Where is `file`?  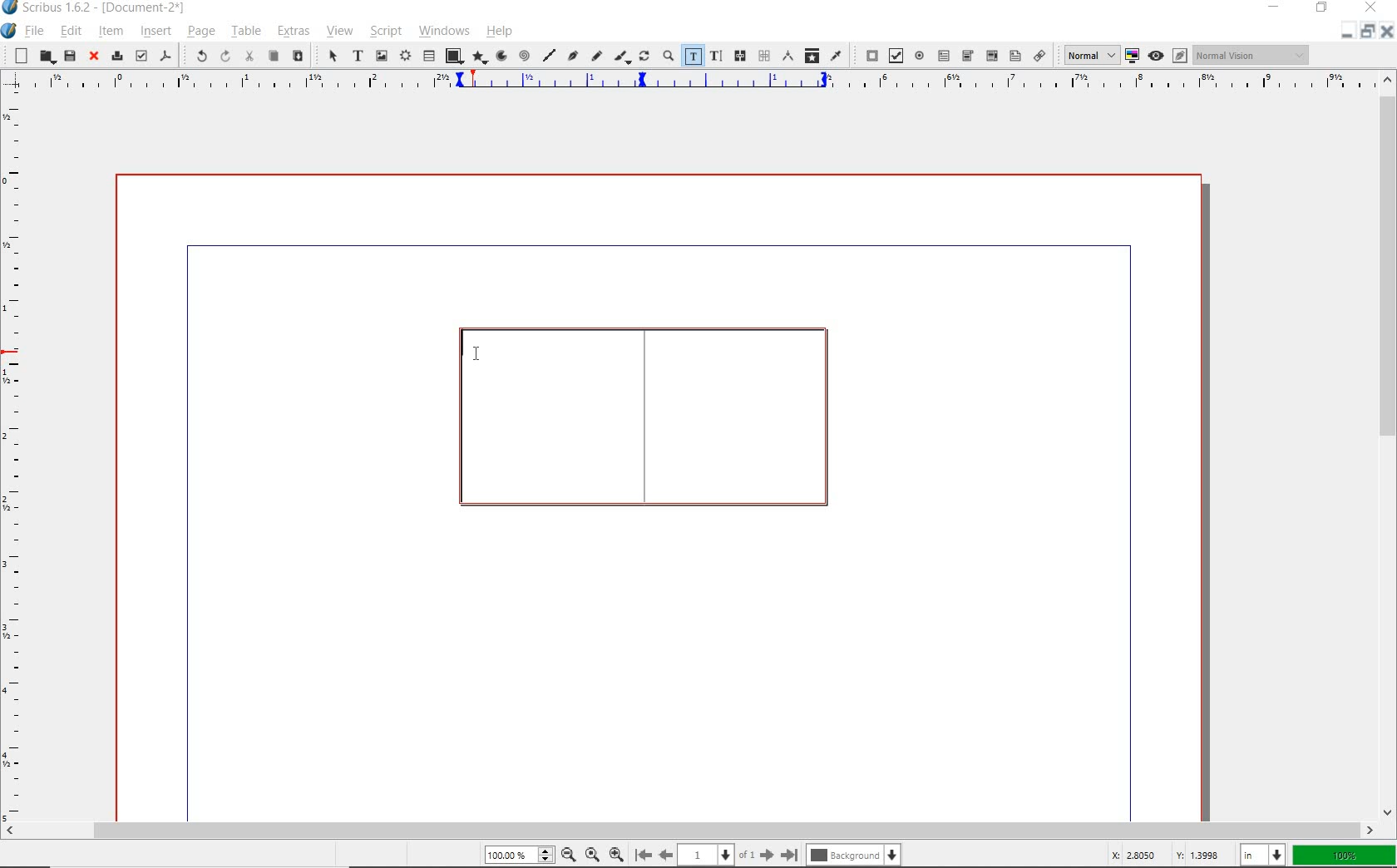 file is located at coordinates (32, 32).